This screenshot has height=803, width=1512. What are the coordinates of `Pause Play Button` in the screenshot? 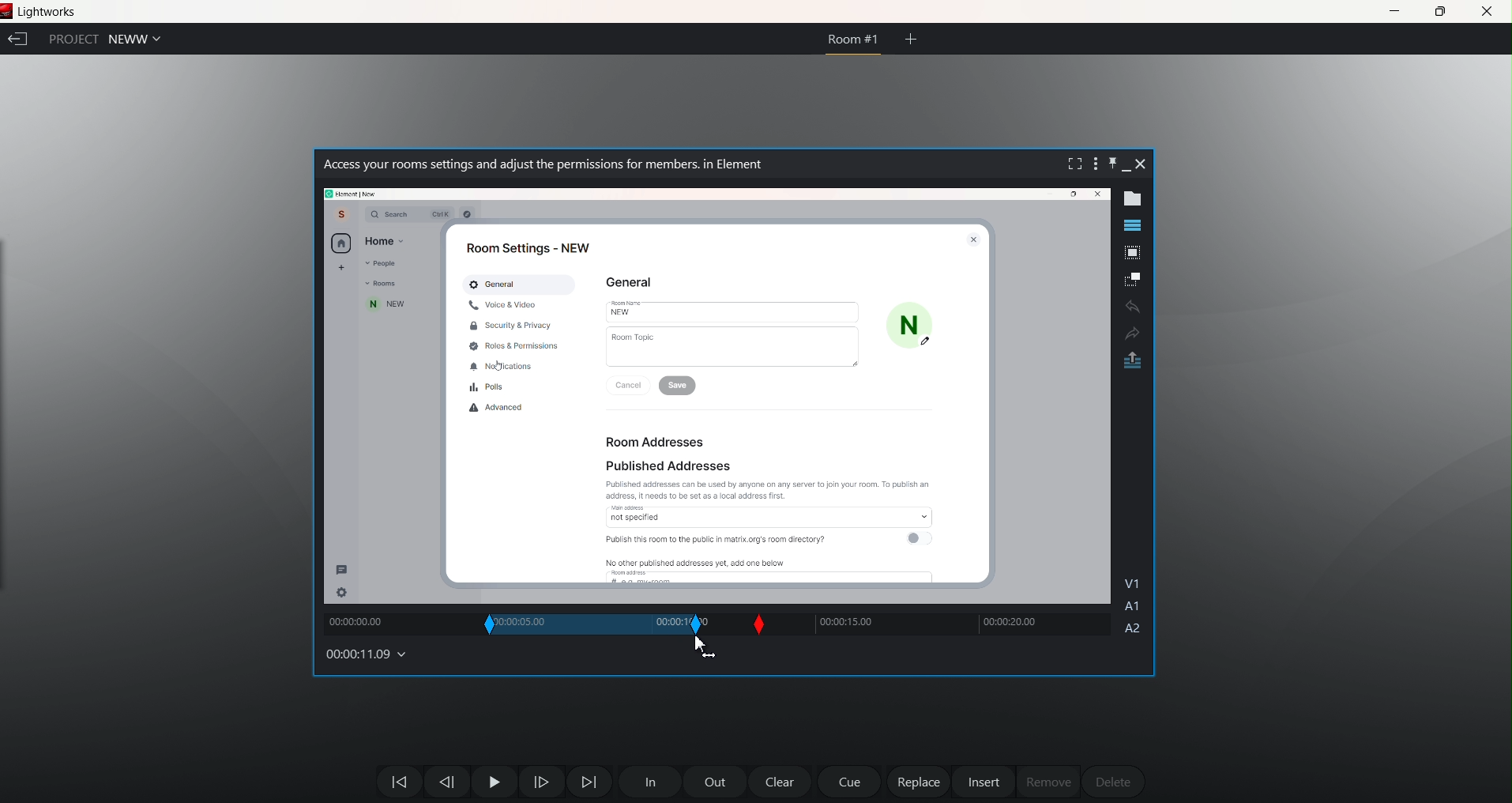 It's located at (491, 782).